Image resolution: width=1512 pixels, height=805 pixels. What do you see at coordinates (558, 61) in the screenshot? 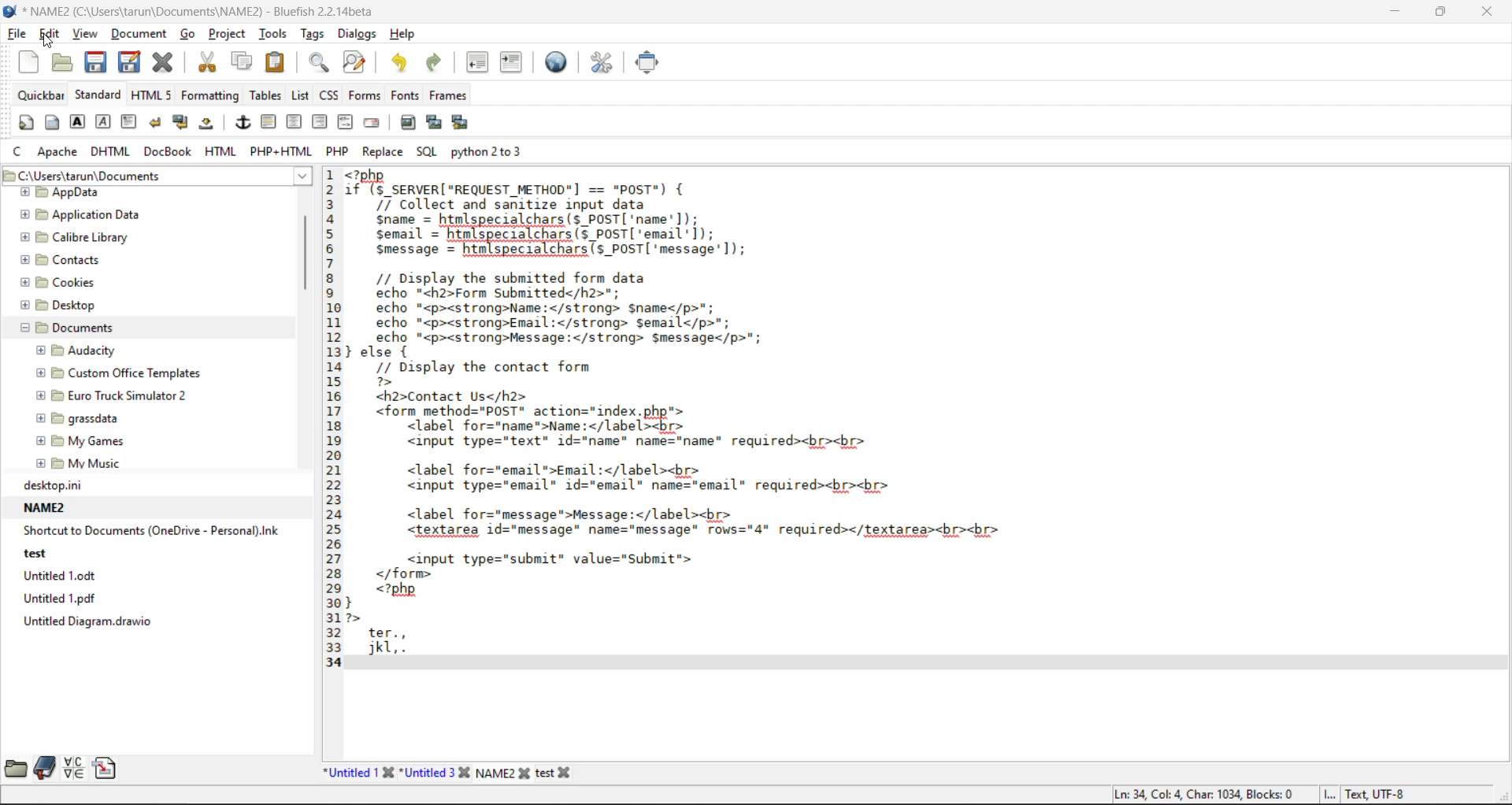
I see `preview in browser` at bounding box center [558, 61].